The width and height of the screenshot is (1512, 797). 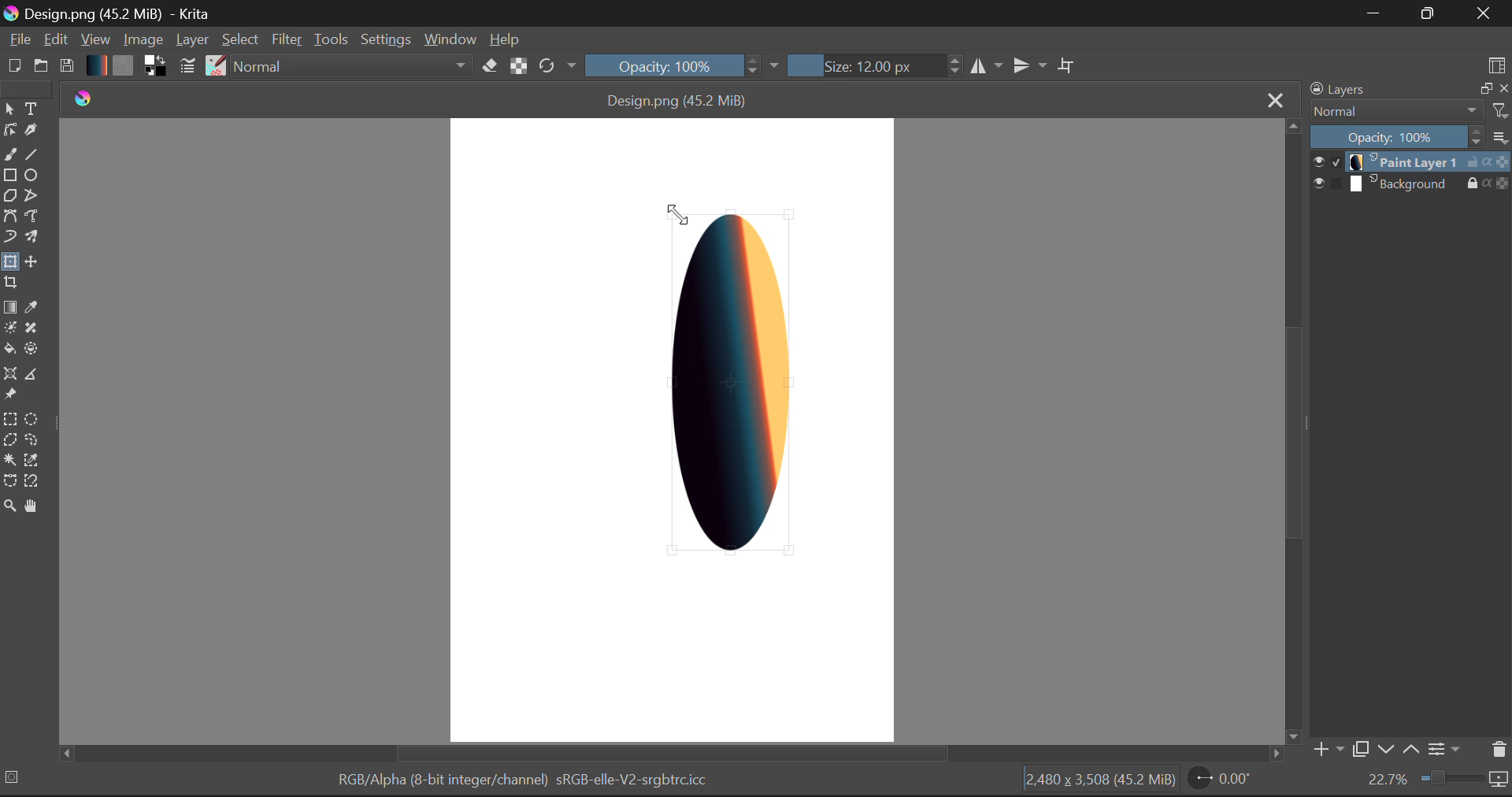 I want to click on Delete Layer, so click(x=1497, y=749).